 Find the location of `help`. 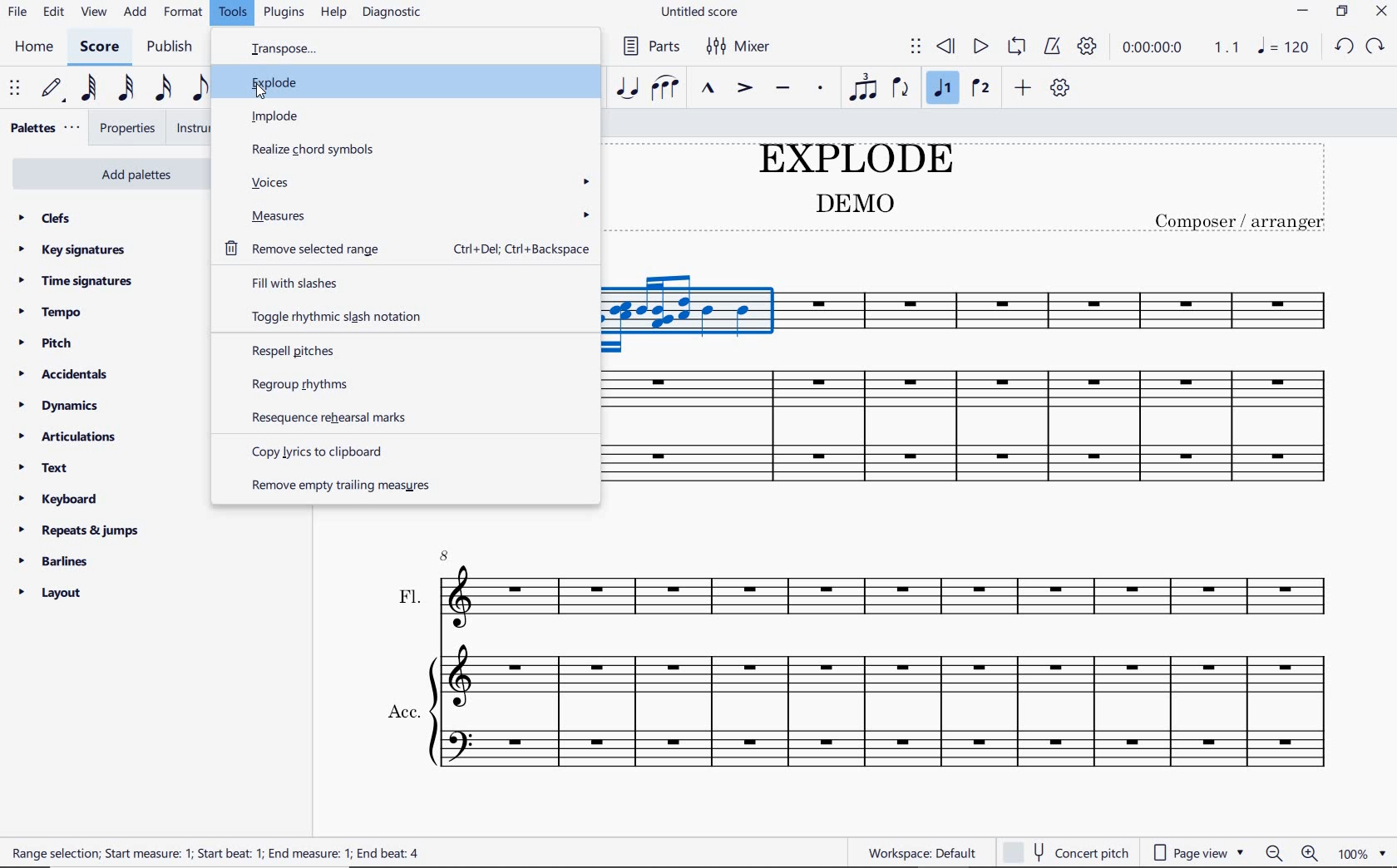

help is located at coordinates (333, 12).